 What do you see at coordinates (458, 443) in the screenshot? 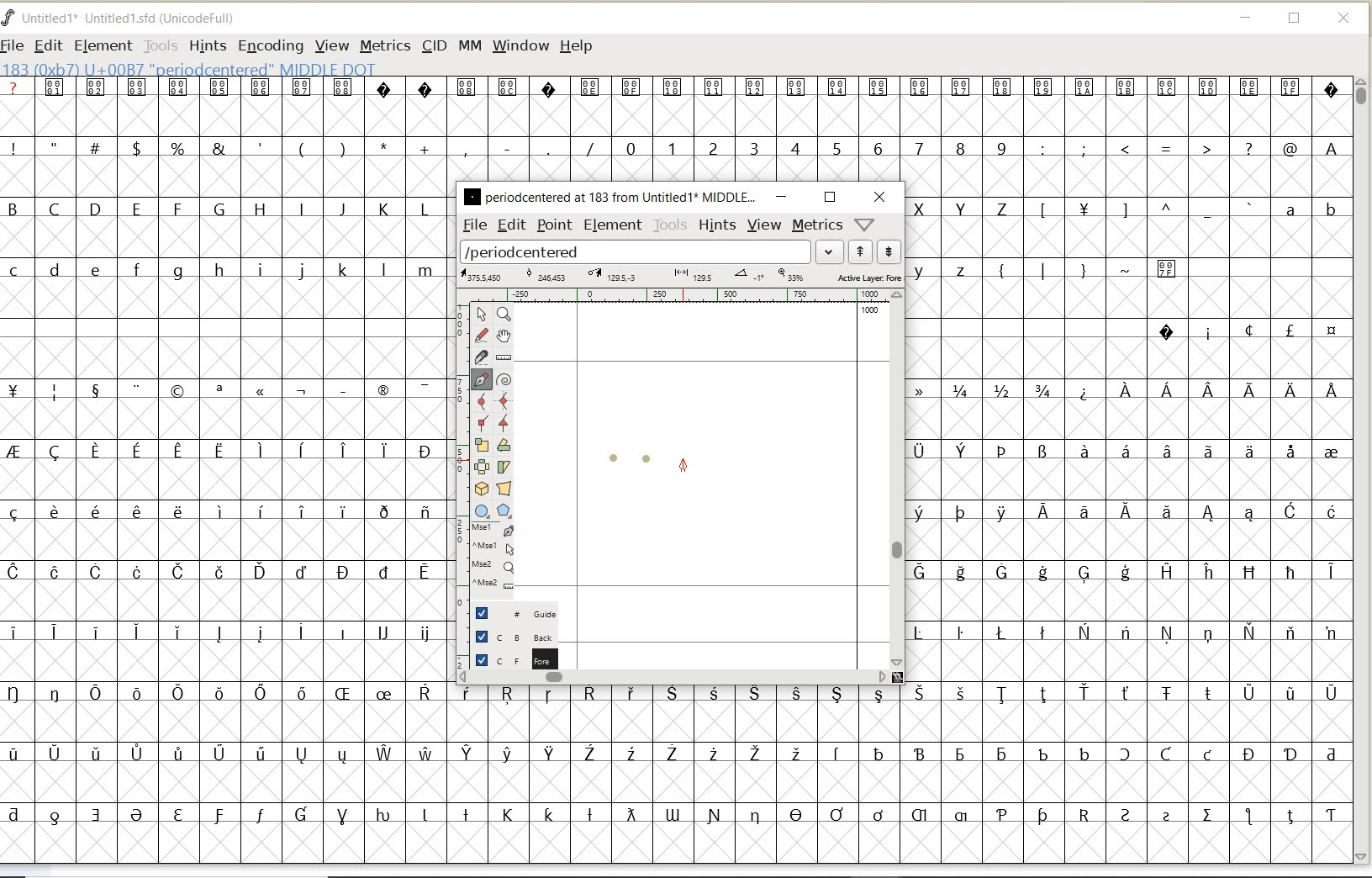
I see `scale` at bounding box center [458, 443].